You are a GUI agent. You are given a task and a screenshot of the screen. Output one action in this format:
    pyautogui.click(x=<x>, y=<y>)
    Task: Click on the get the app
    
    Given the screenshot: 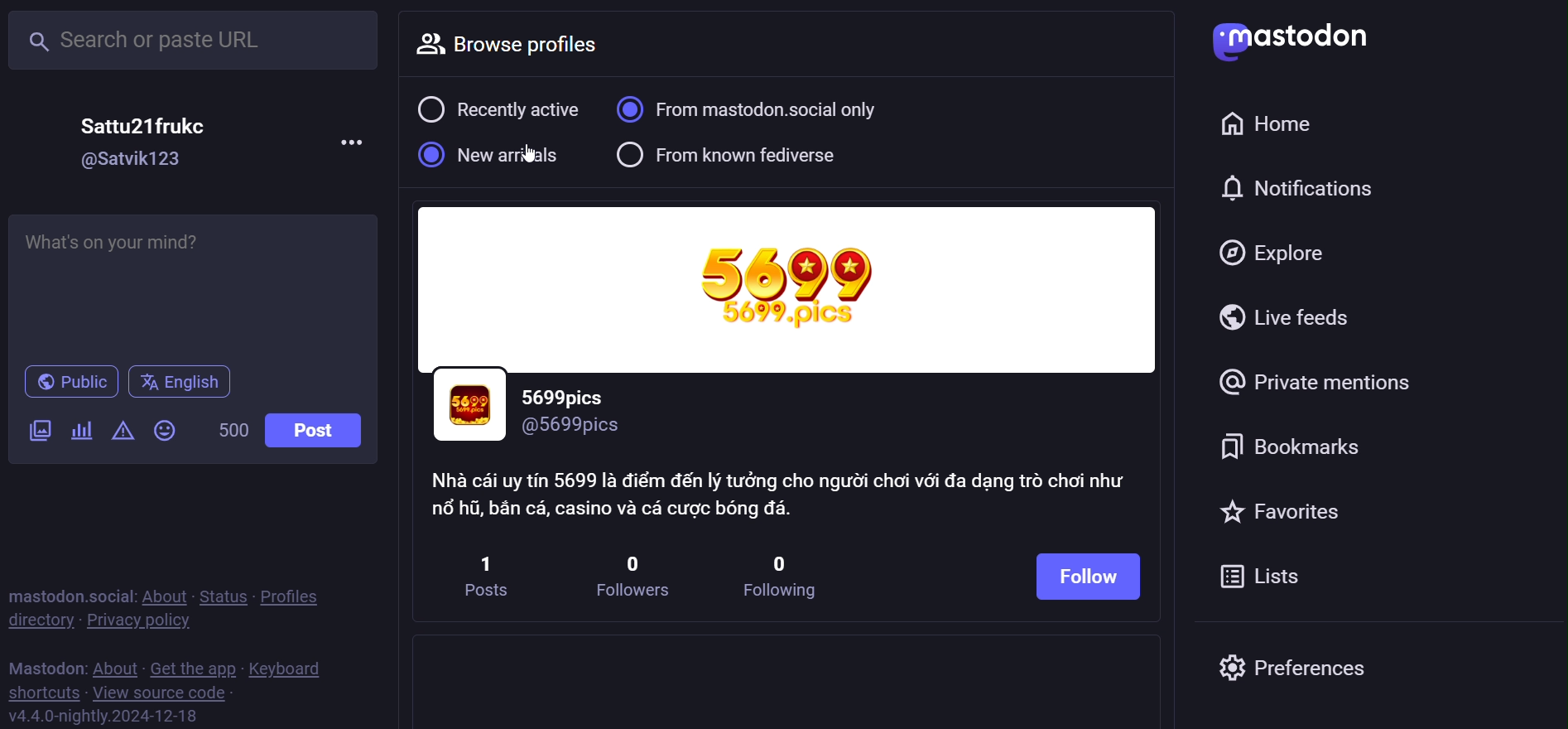 What is the action you would take?
    pyautogui.click(x=189, y=668)
    